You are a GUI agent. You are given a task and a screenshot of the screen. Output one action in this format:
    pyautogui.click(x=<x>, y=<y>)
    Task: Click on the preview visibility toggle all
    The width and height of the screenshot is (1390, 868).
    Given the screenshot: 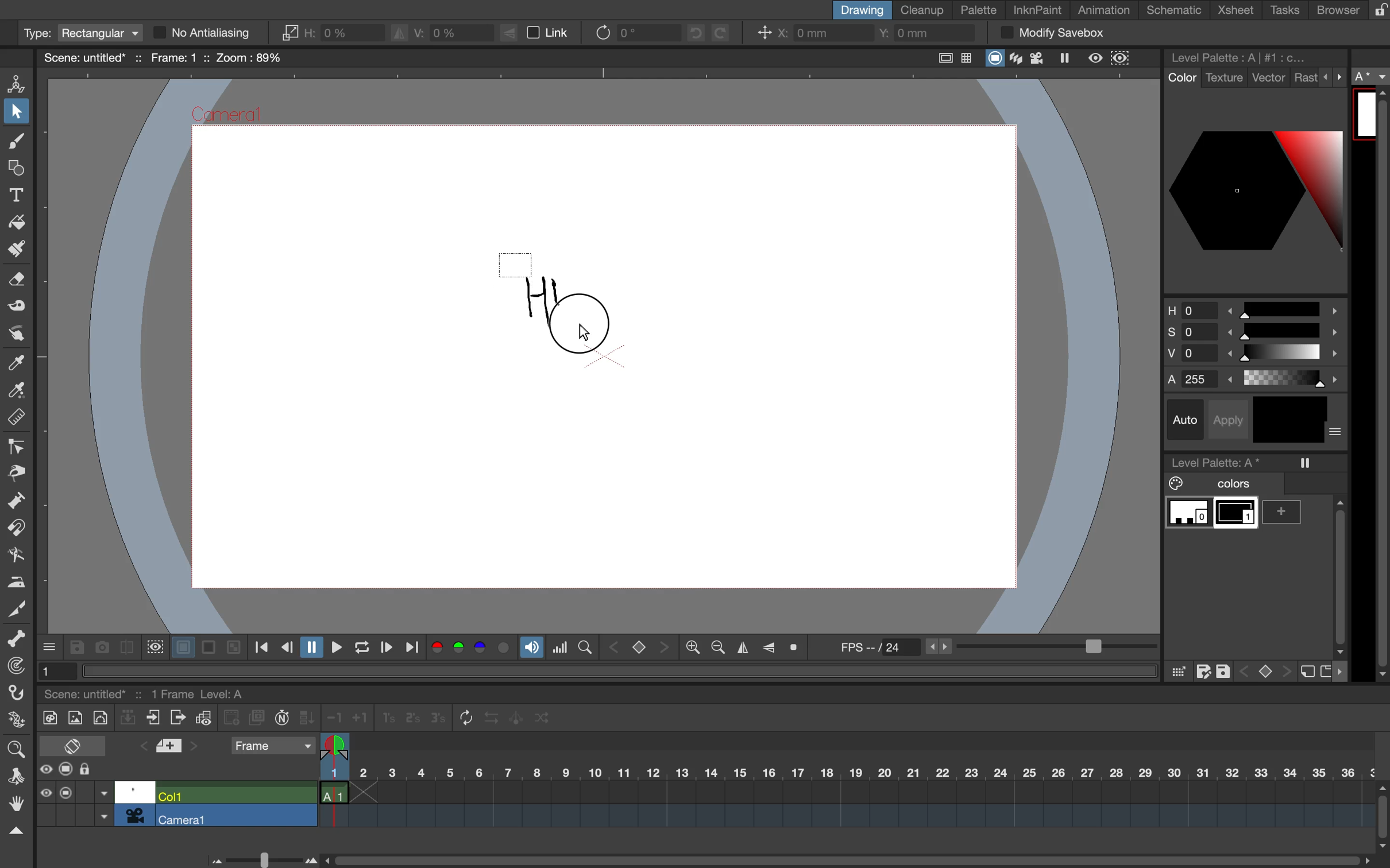 What is the action you would take?
    pyautogui.click(x=45, y=793)
    